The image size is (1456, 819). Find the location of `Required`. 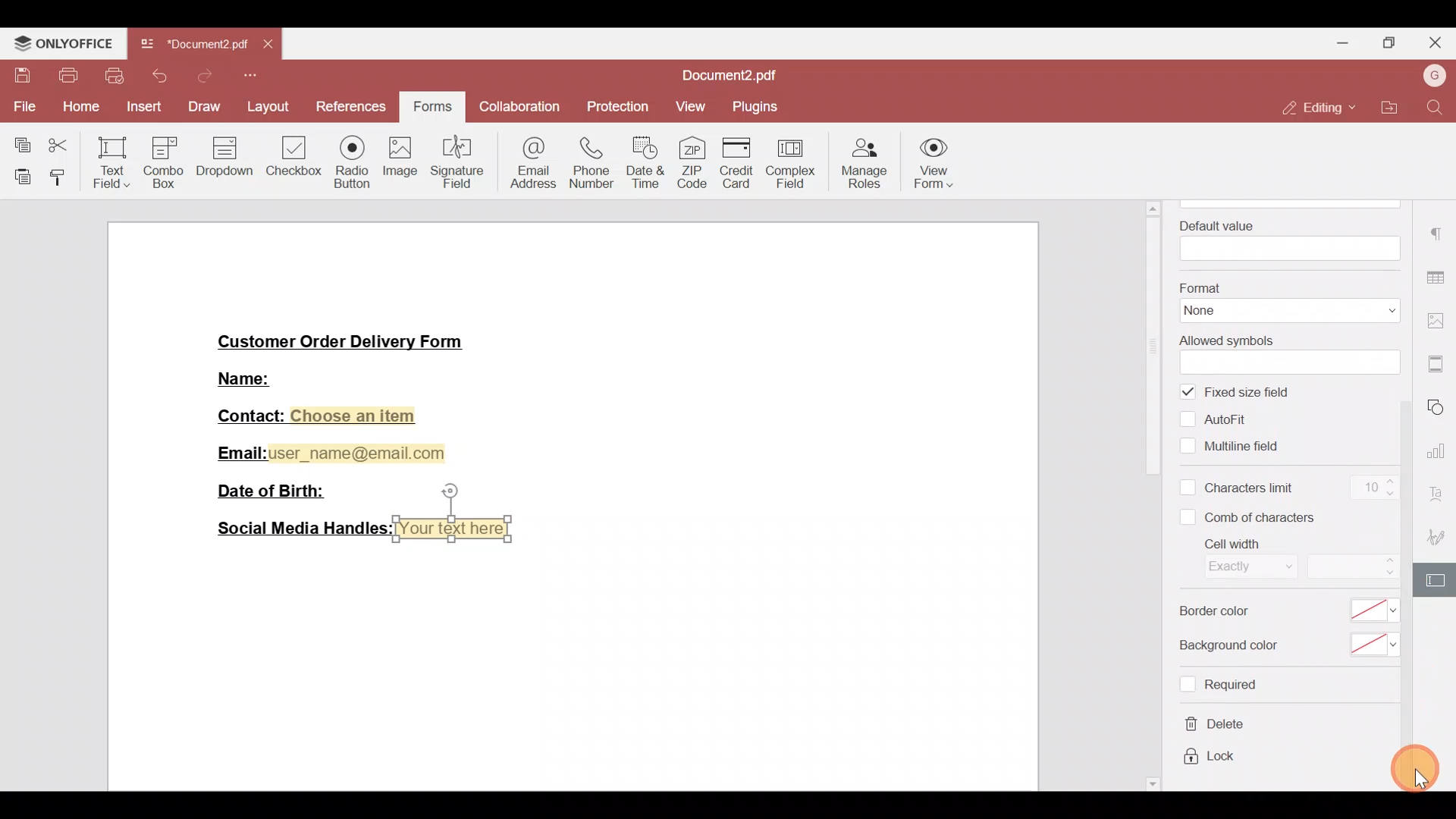

Required is located at coordinates (1222, 686).